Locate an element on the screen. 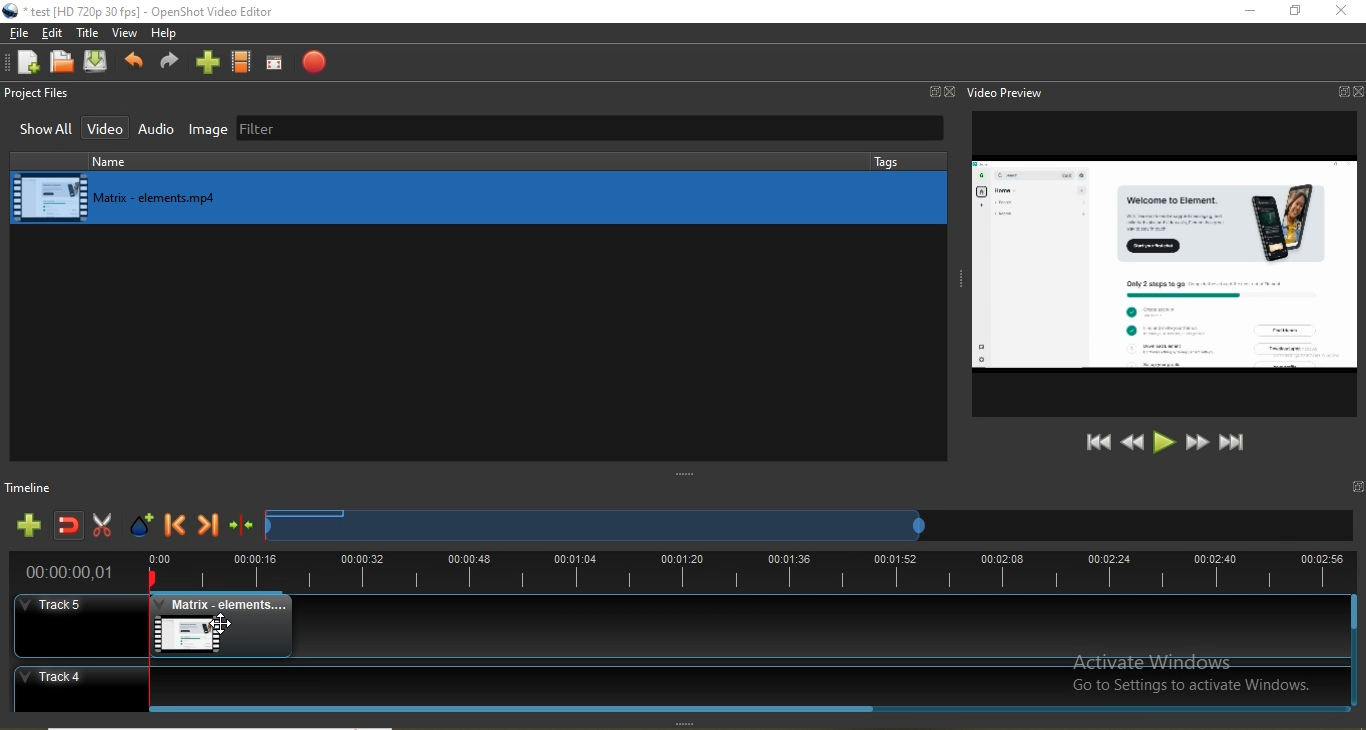  File is located at coordinates (17, 34).